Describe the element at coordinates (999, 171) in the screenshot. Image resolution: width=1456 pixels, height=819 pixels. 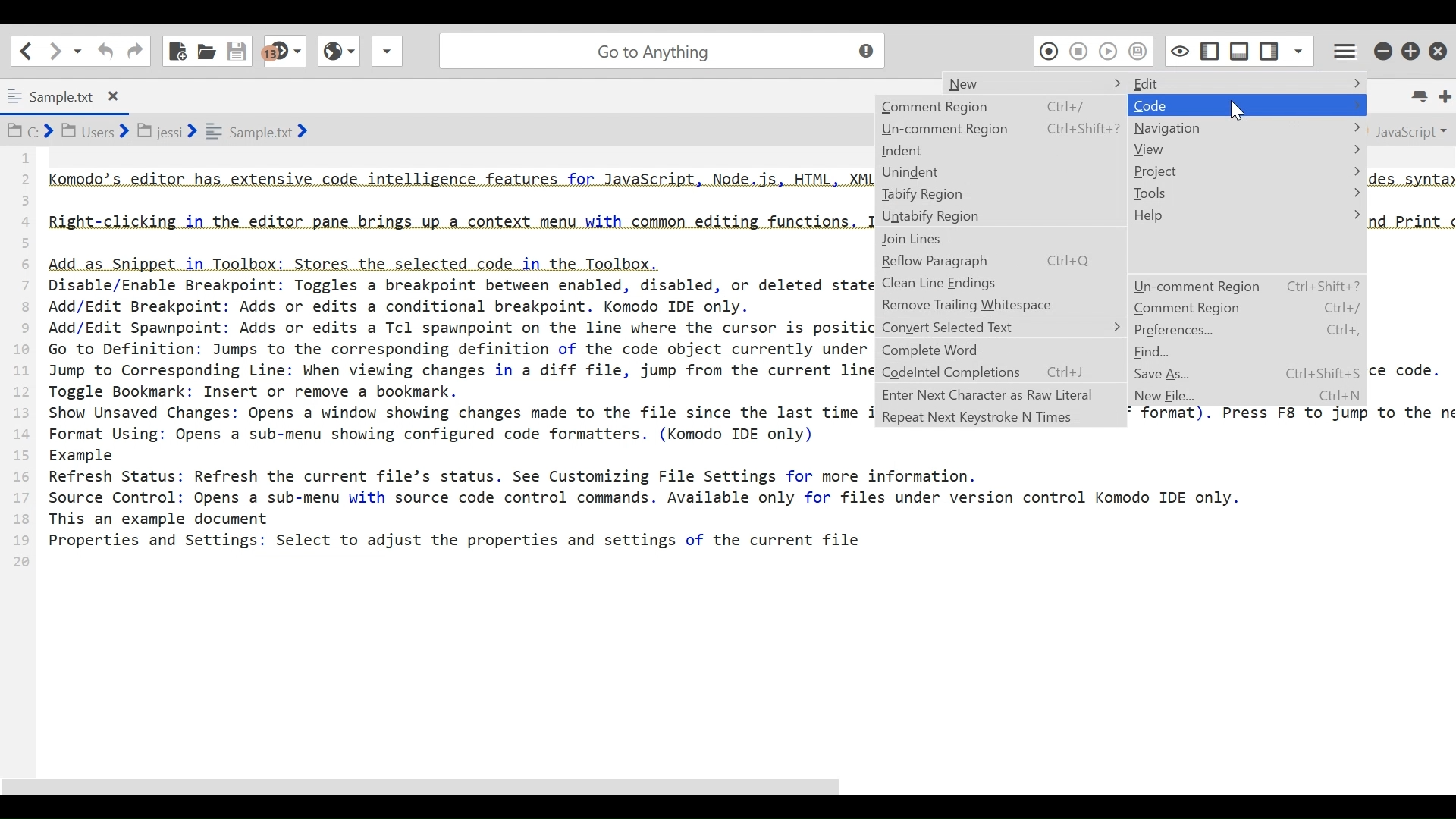
I see `Unindent` at that location.